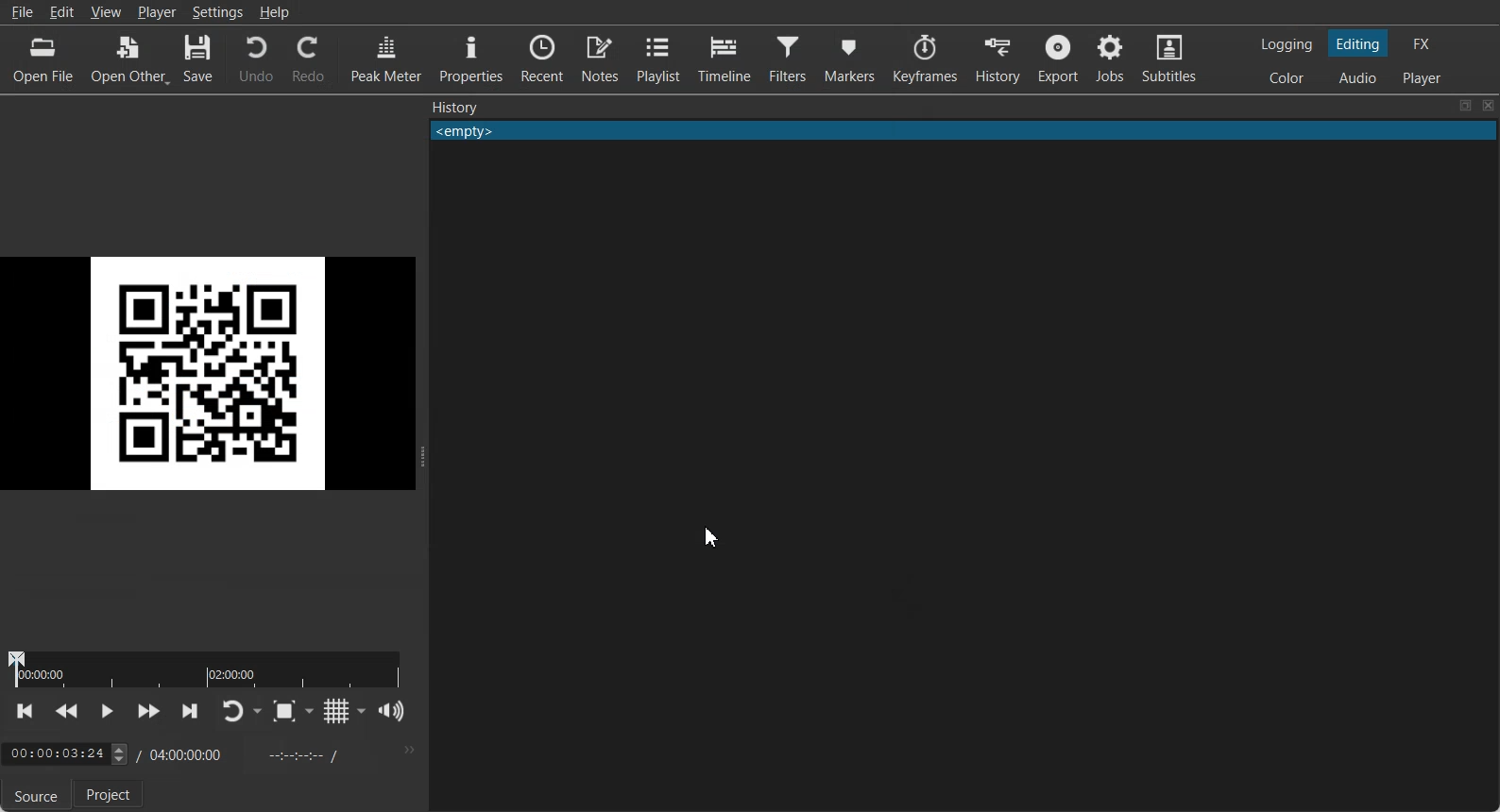  What do you see at coordinates (113, 753) in the screenshot?
I see `toggle` at bounding box center [113, 753].